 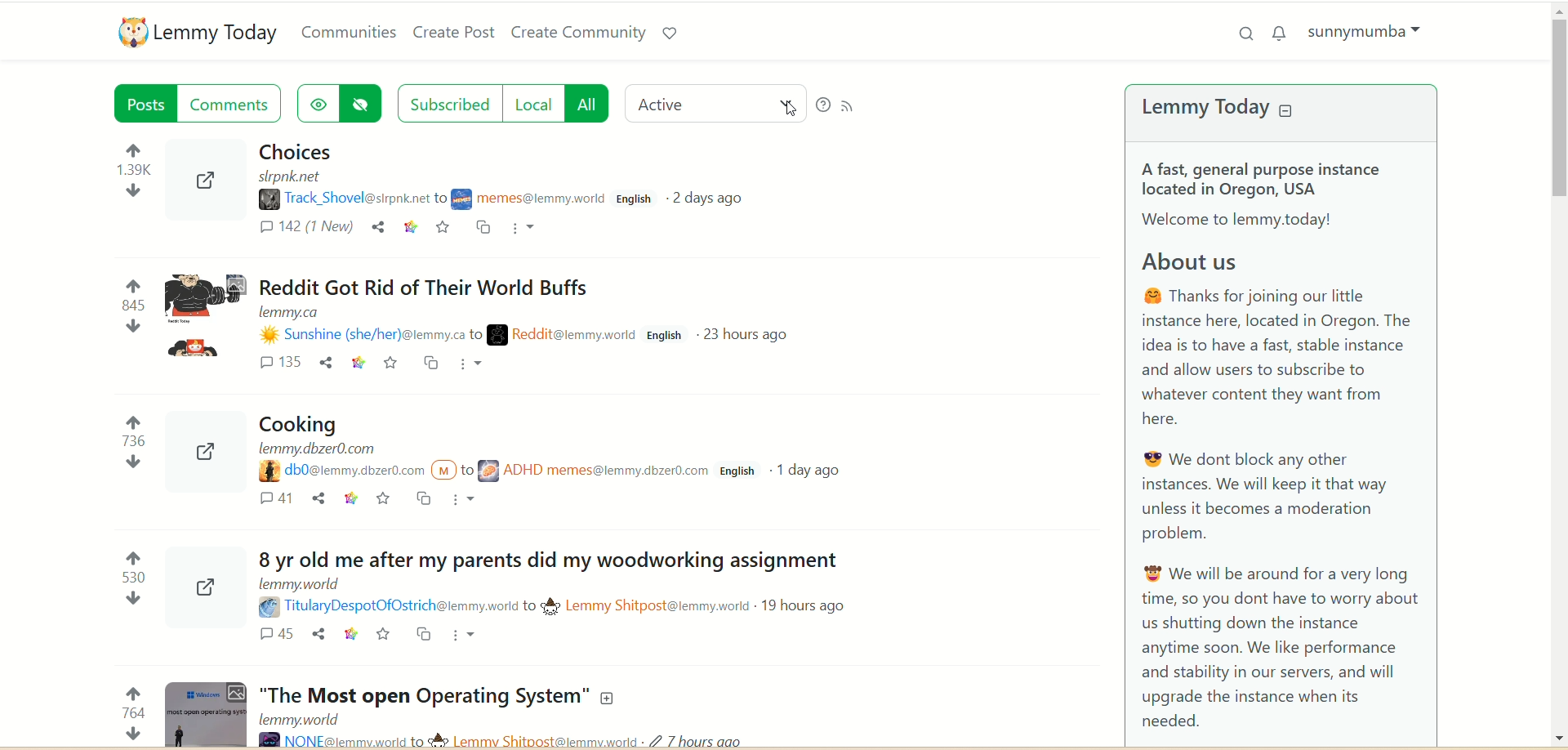 I want to click on more, so click(x=526, y=226).